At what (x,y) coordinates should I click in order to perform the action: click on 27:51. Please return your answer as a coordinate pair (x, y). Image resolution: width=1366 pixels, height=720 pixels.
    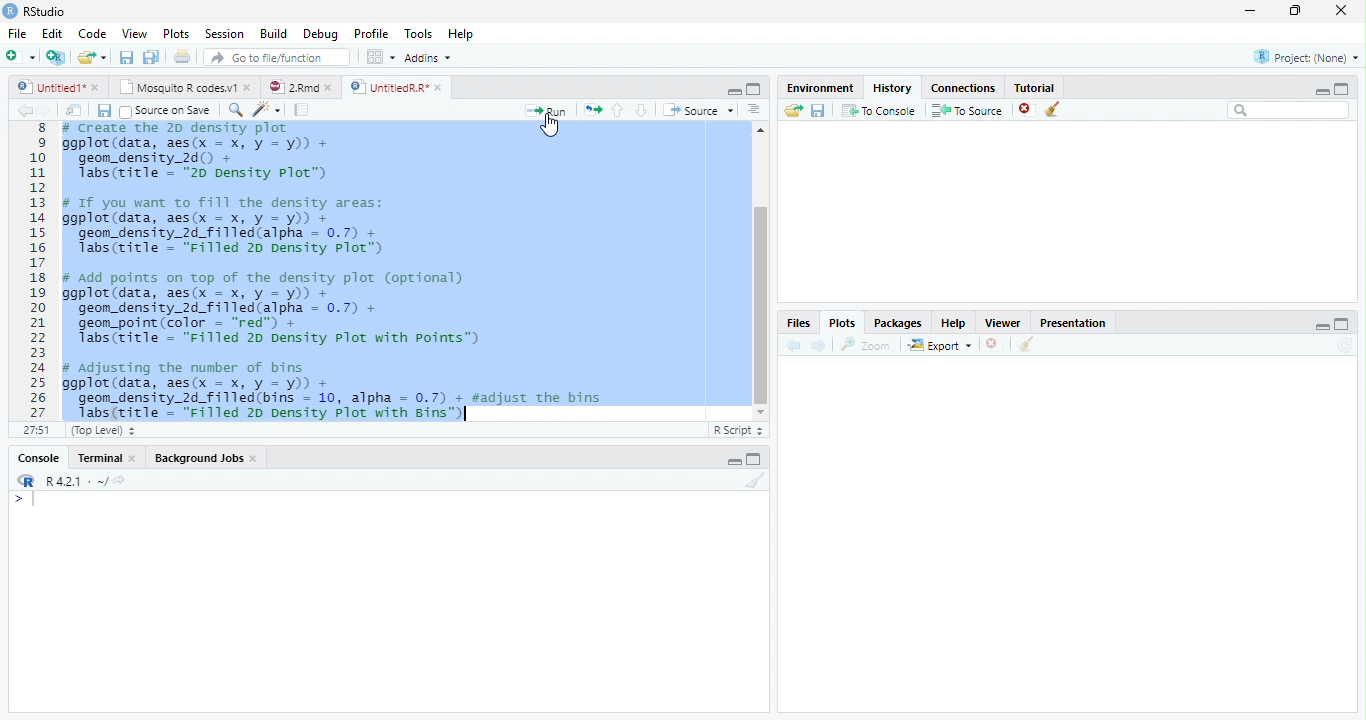
    Looking at the image, I should click on (34, 430).